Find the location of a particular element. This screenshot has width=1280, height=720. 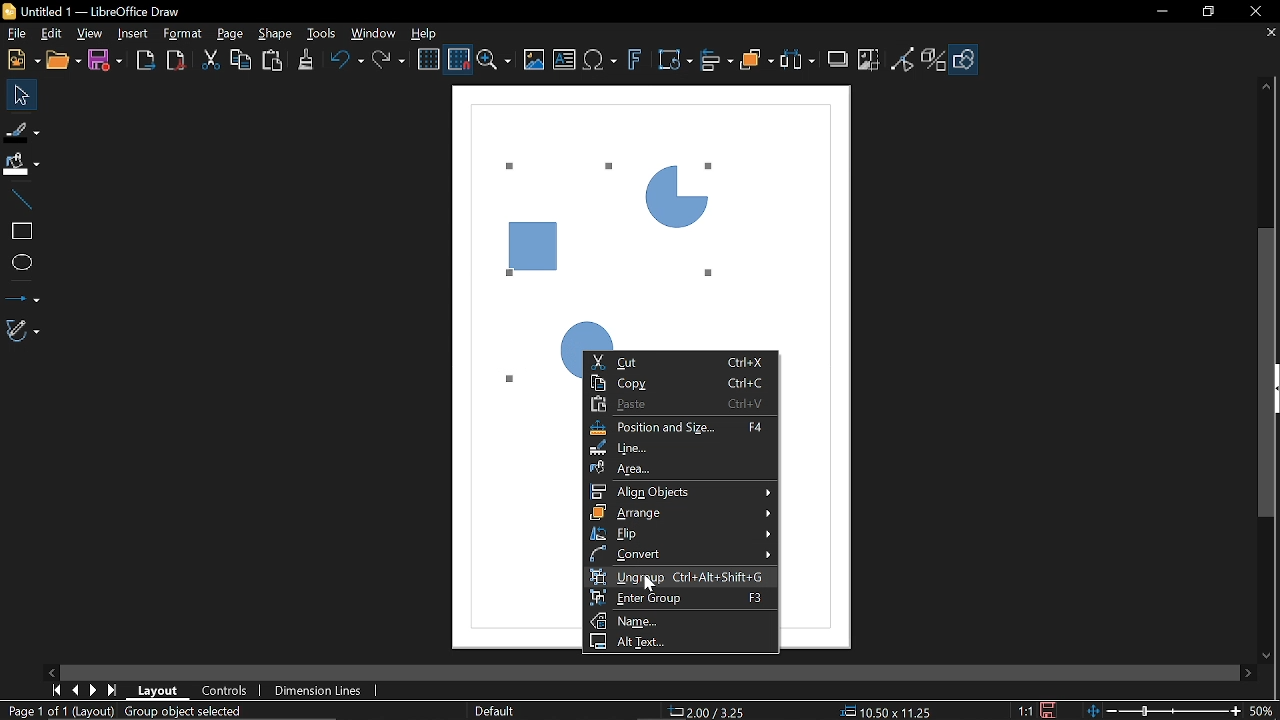

page is located at coordinates (232, 35).